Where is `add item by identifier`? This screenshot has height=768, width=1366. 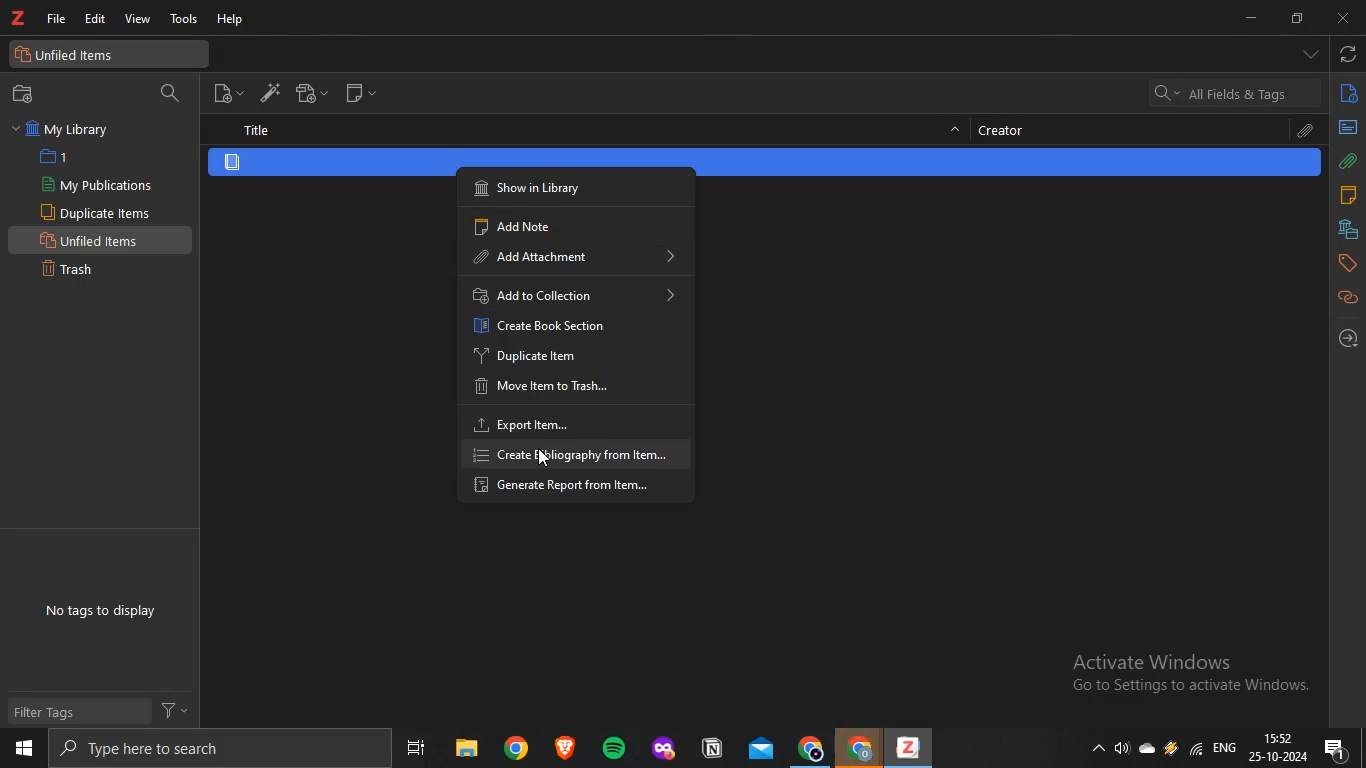 add item by identifier is located at coordinates (265, 91).